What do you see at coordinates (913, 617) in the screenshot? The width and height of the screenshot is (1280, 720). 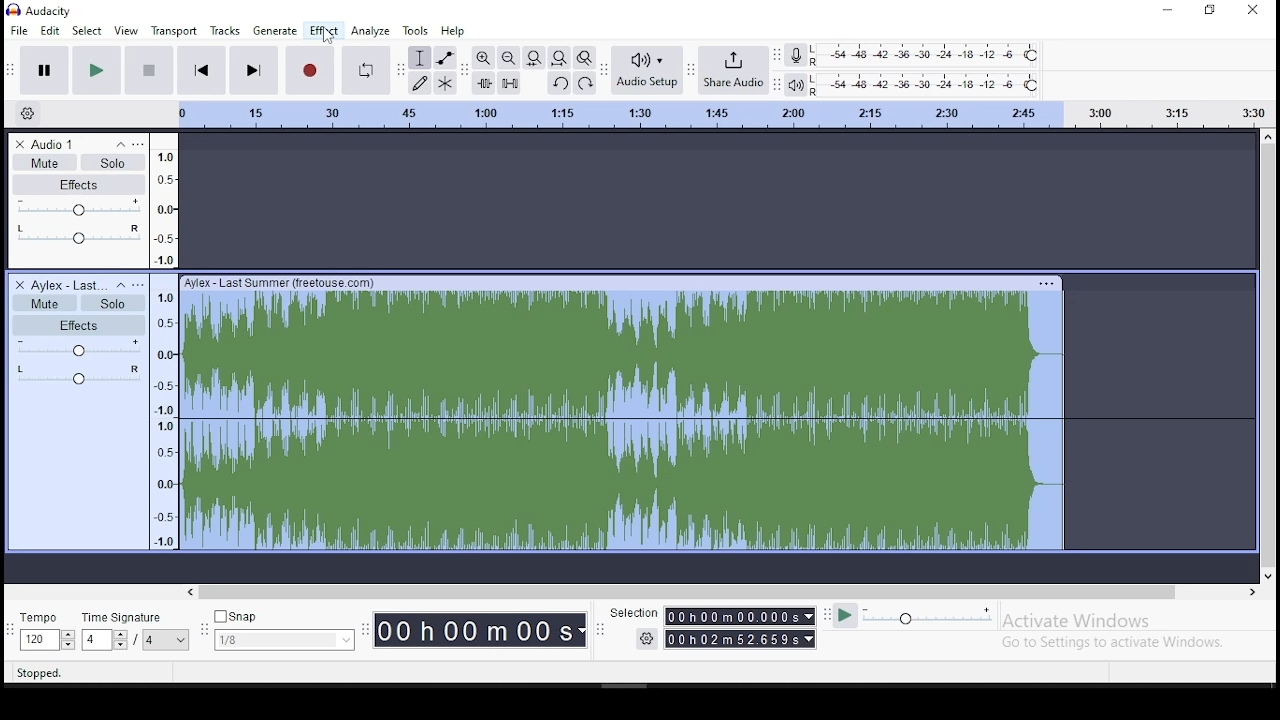 I see `plat at speed/ play at speed once` at bounding box center [913, 617].